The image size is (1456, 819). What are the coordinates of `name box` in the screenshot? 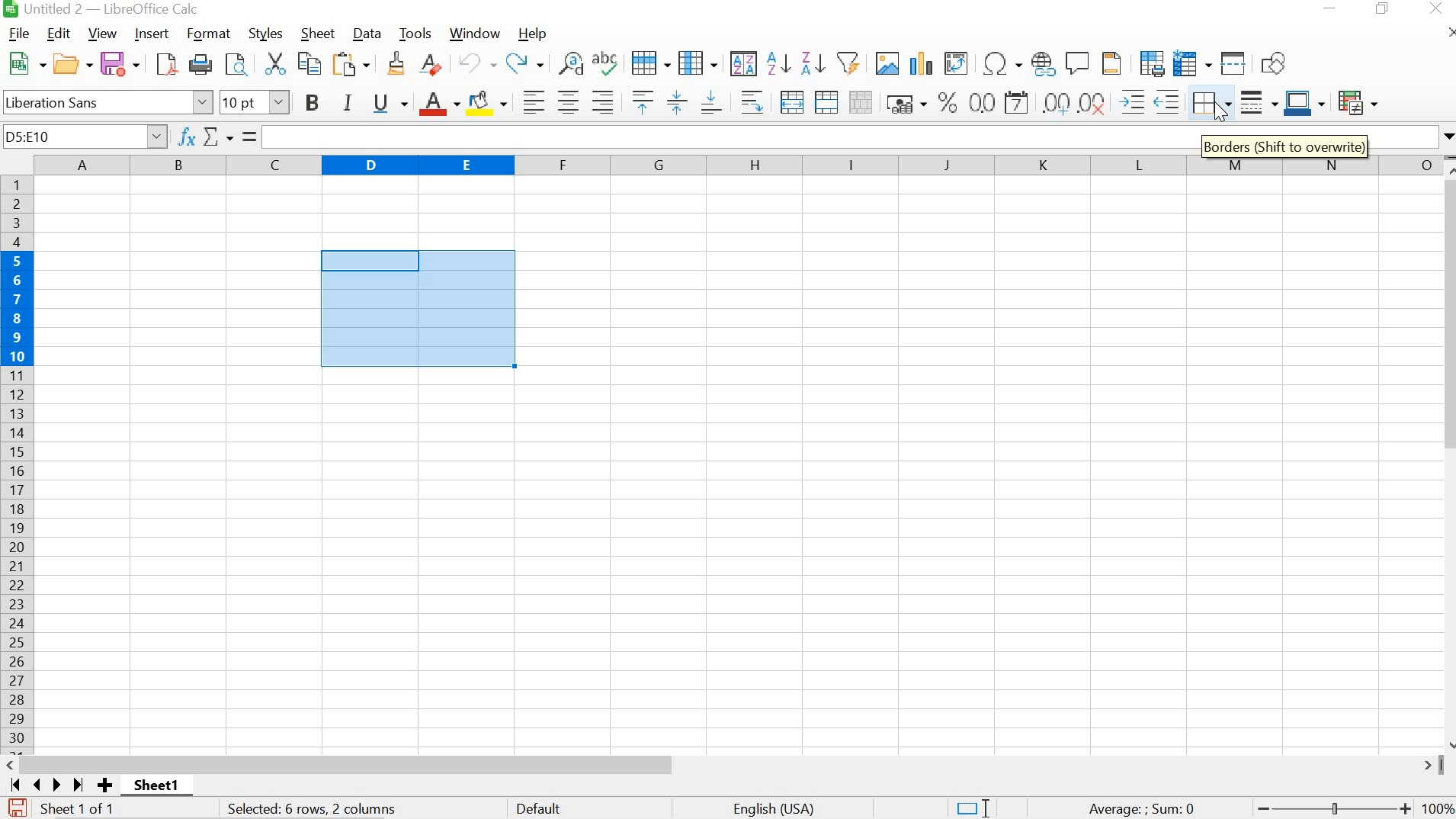 It's located at (85, 136).